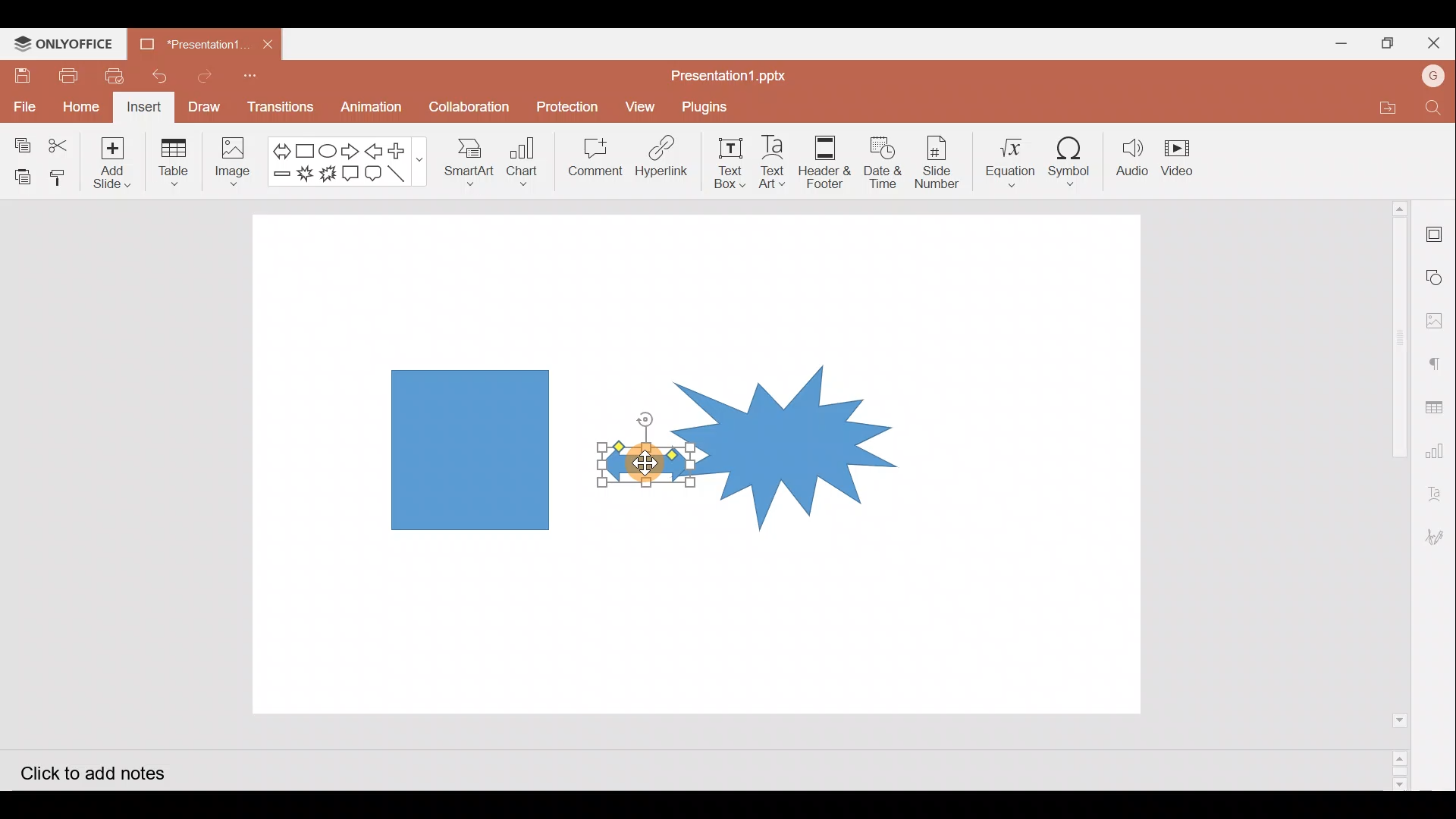 This screenshot has height=819, width=1456. Describe the element at coordinates (707, 108) in the screenshot. I see `Plugins` at that location.